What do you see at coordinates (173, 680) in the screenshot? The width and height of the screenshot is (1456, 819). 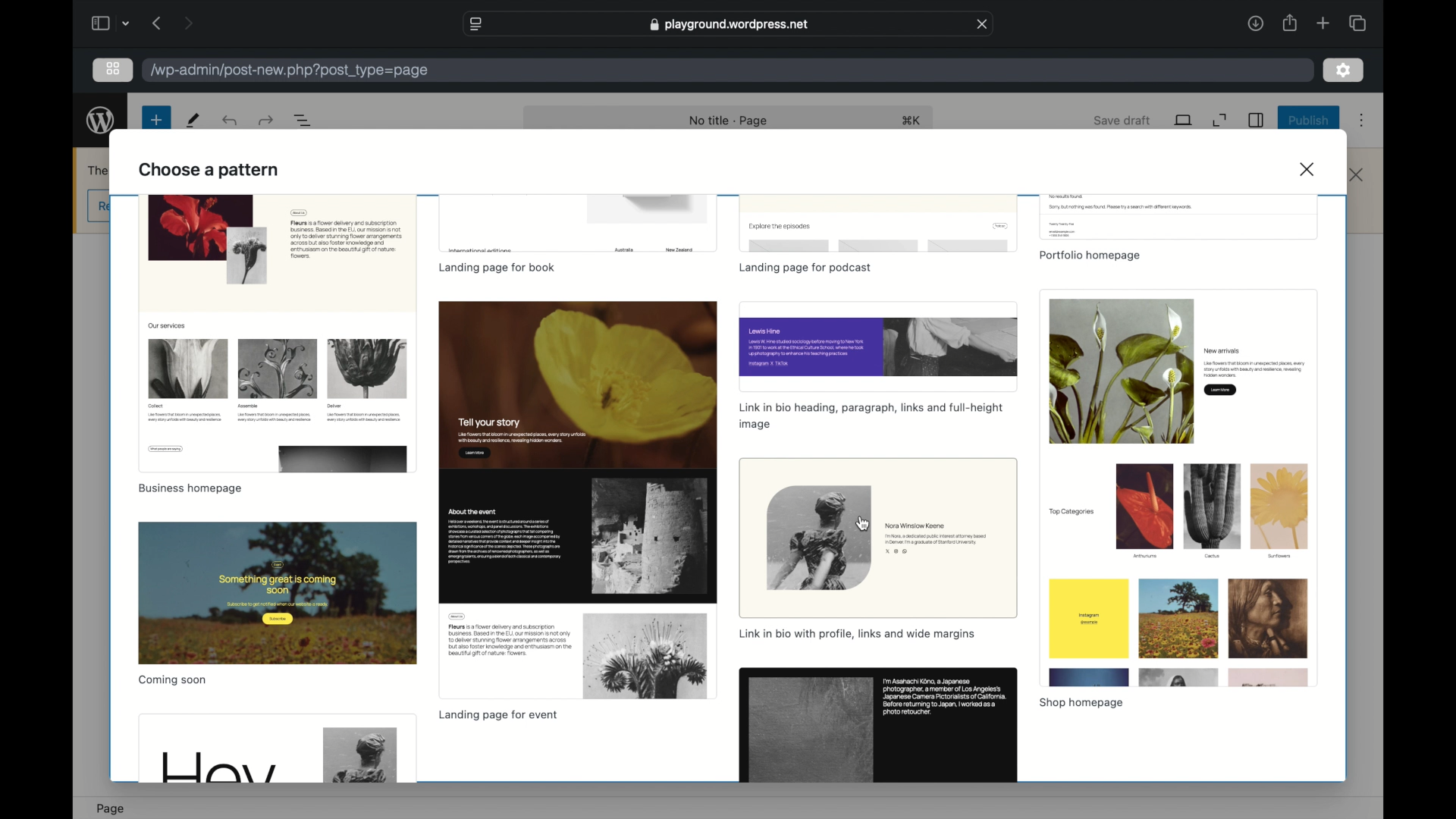 I see `coming soon` at bounding box center [173, 680].